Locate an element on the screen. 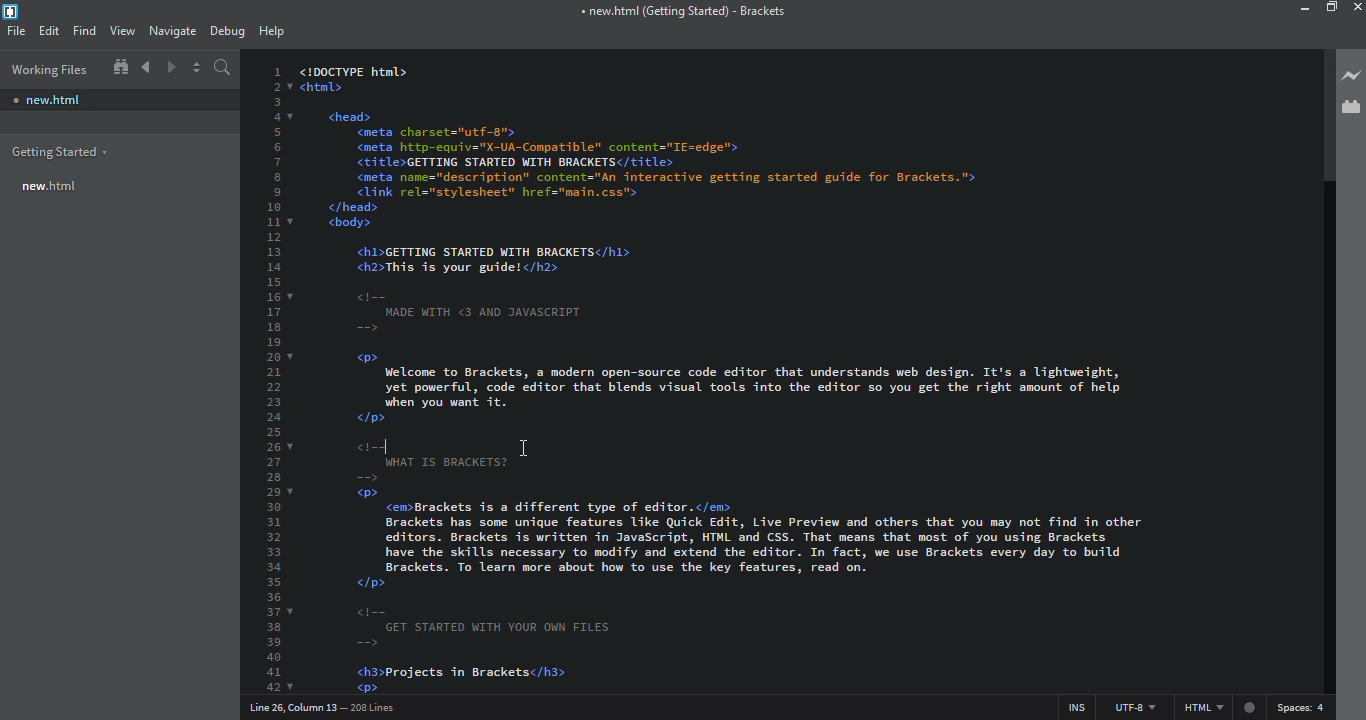 The width and height of the screenshot is (1366, 720). help is located at coordinates (273, 32).